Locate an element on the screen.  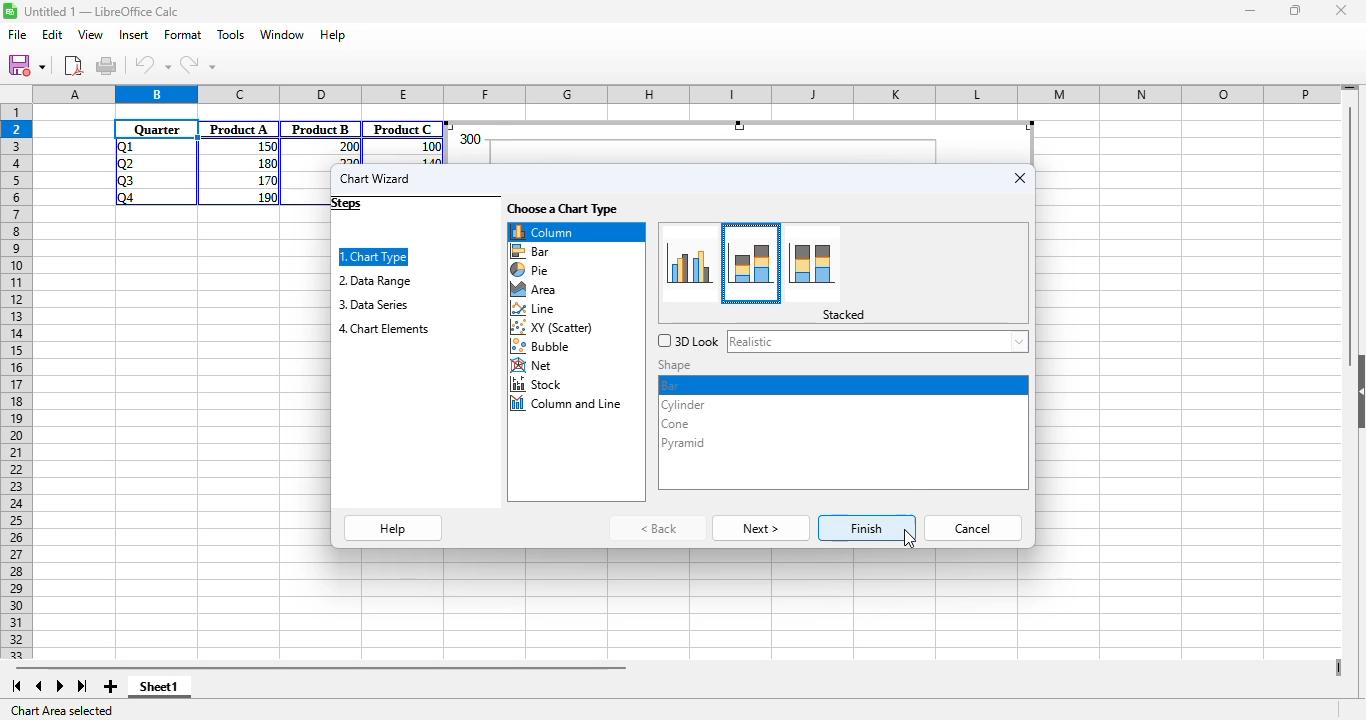
Q4 is located at coordinates (125, 198).